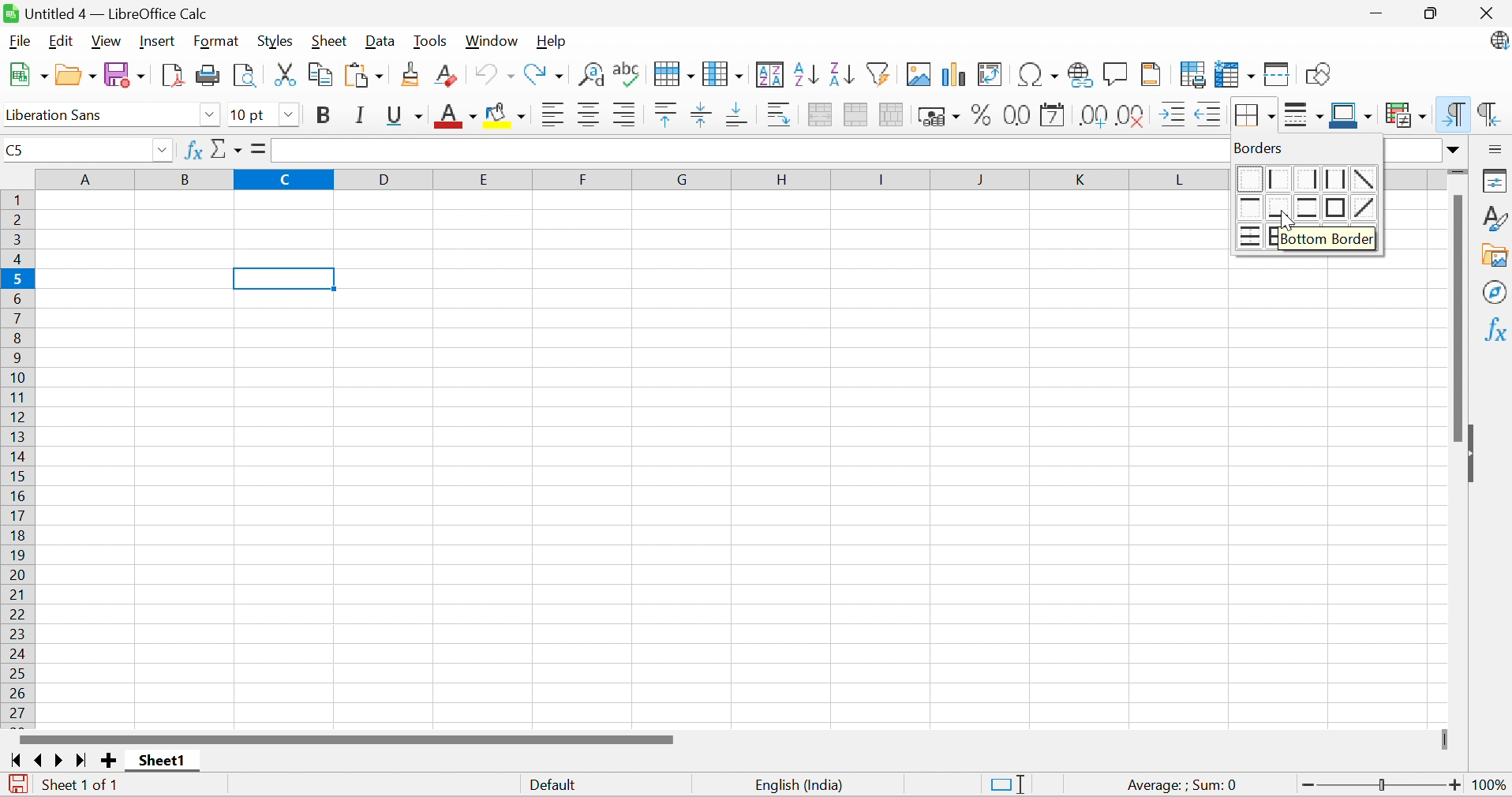 Image resolution: width=1512 pixels, height=797 pixels. Describe the element at coordinates (346, 739) in the screenshot. I see `Scroll bar` at that location.